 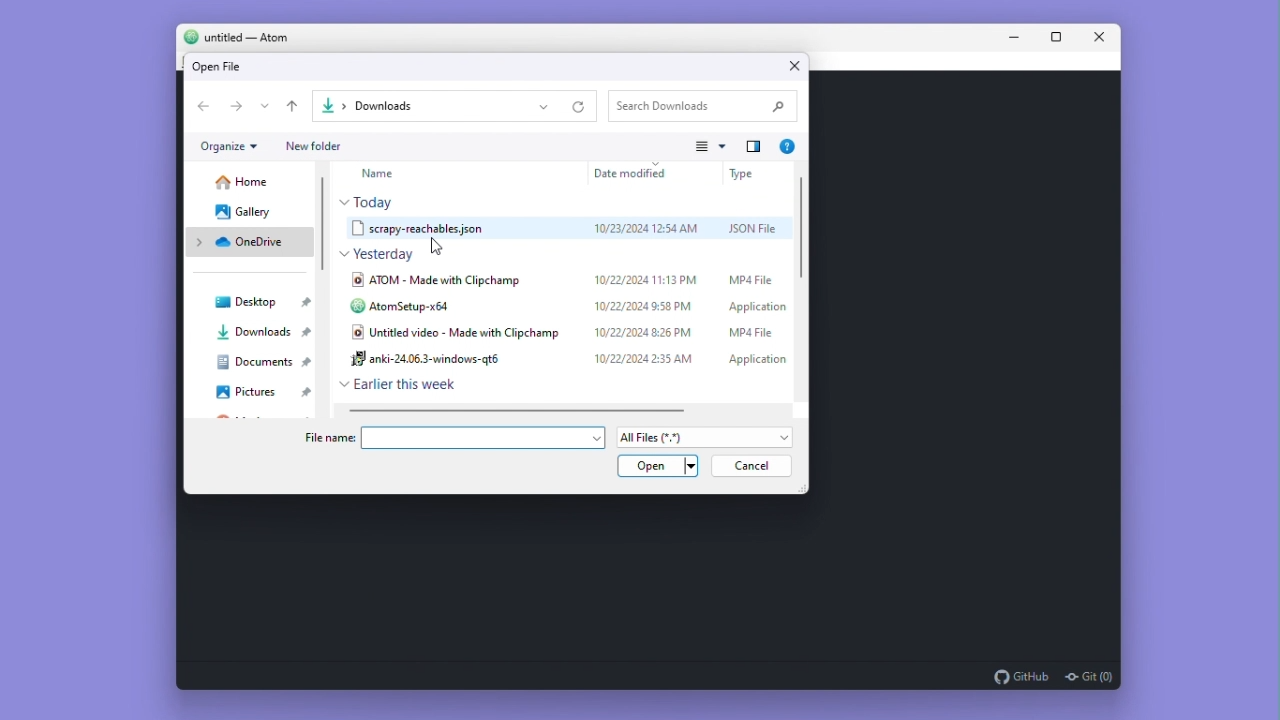 I want to click on anki-24.06.3-windows-qt6 10/22/2024 2:35 AM Application, so click(x=567, y=357).